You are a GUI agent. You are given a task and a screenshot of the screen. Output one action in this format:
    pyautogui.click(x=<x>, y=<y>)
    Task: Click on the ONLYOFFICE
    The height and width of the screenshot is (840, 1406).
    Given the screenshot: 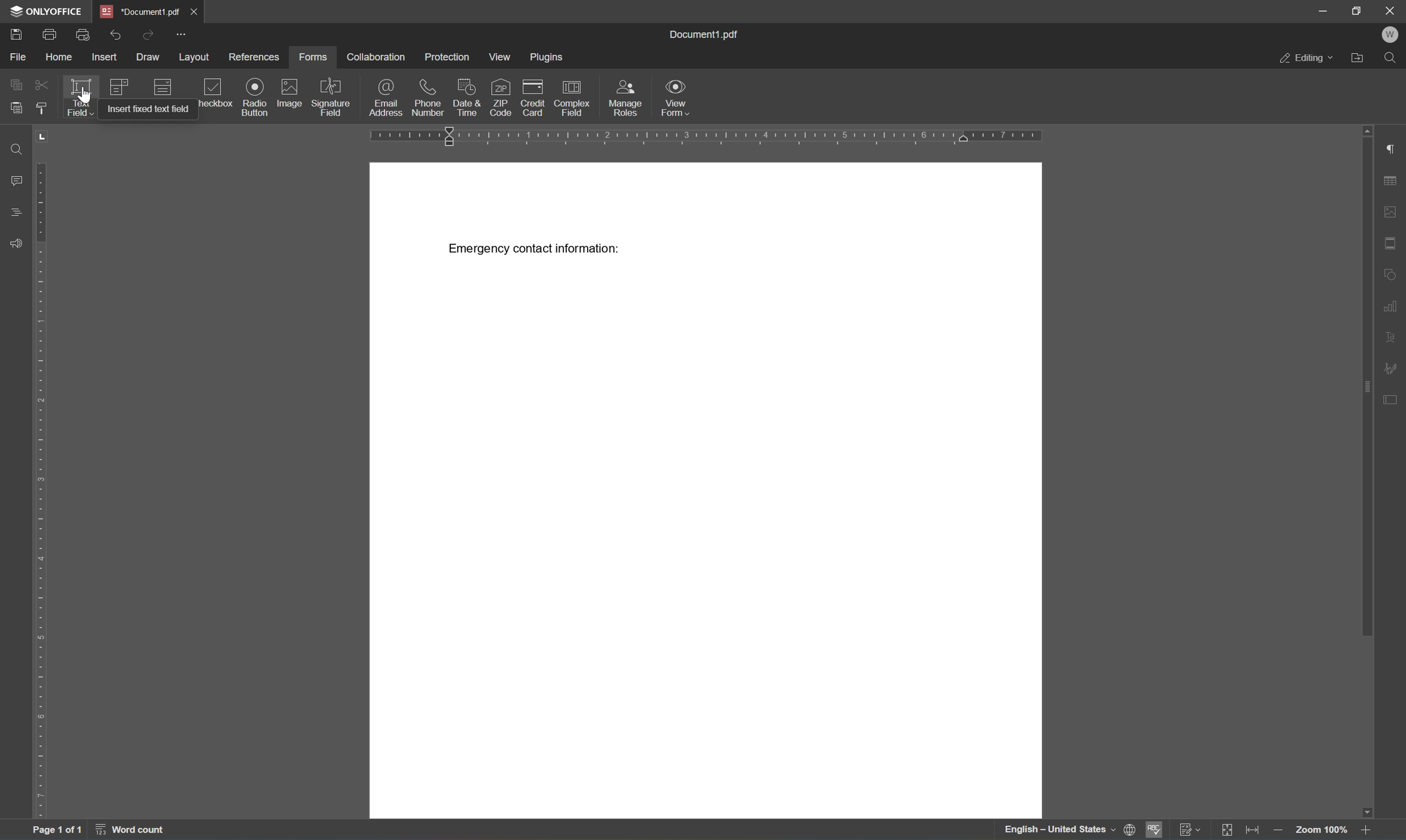 What is the action you would take?
    pyautogui.click(x=44, y=11)
    